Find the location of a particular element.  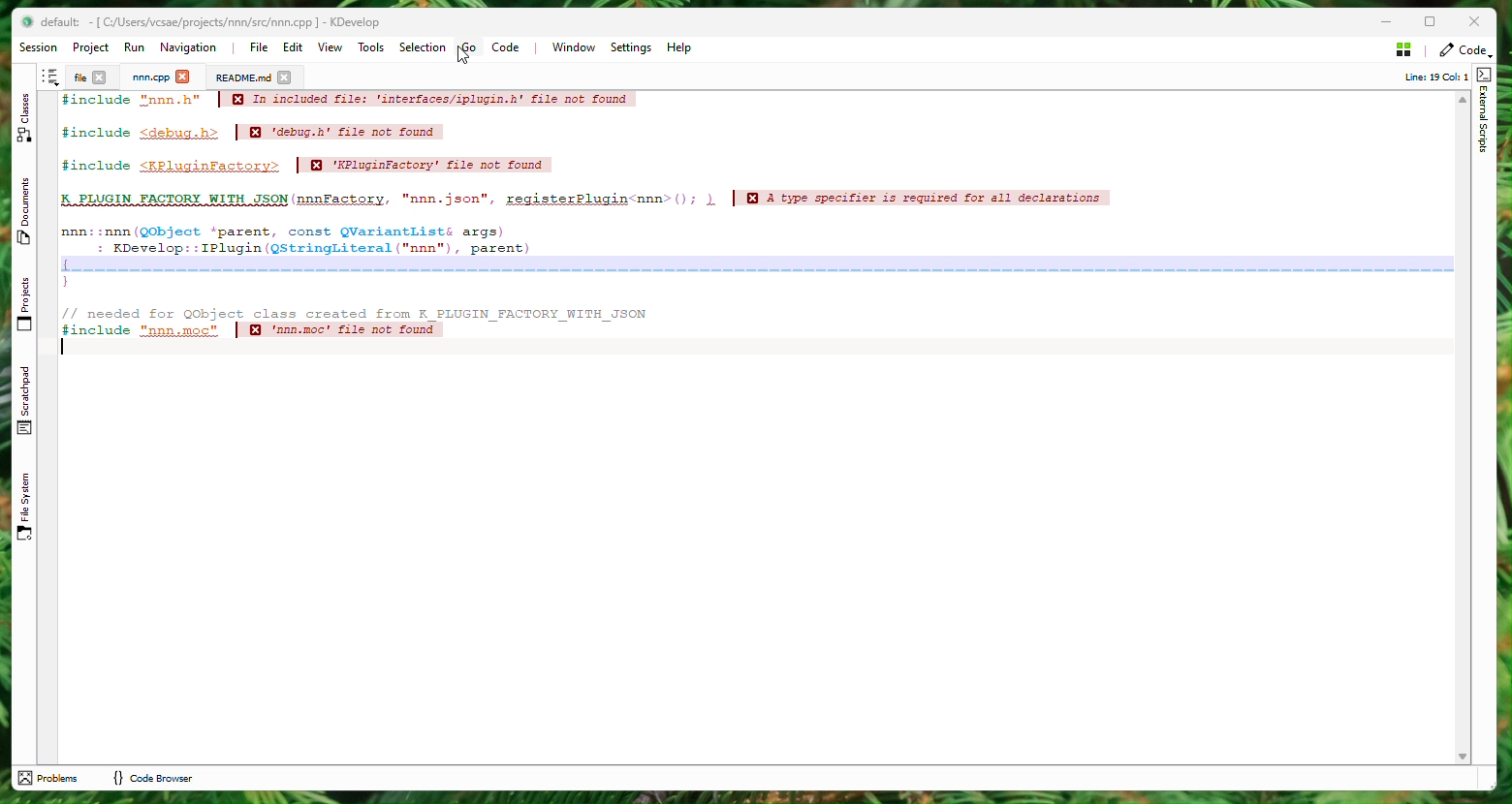

Stash is located at coordinates (1403, 48).